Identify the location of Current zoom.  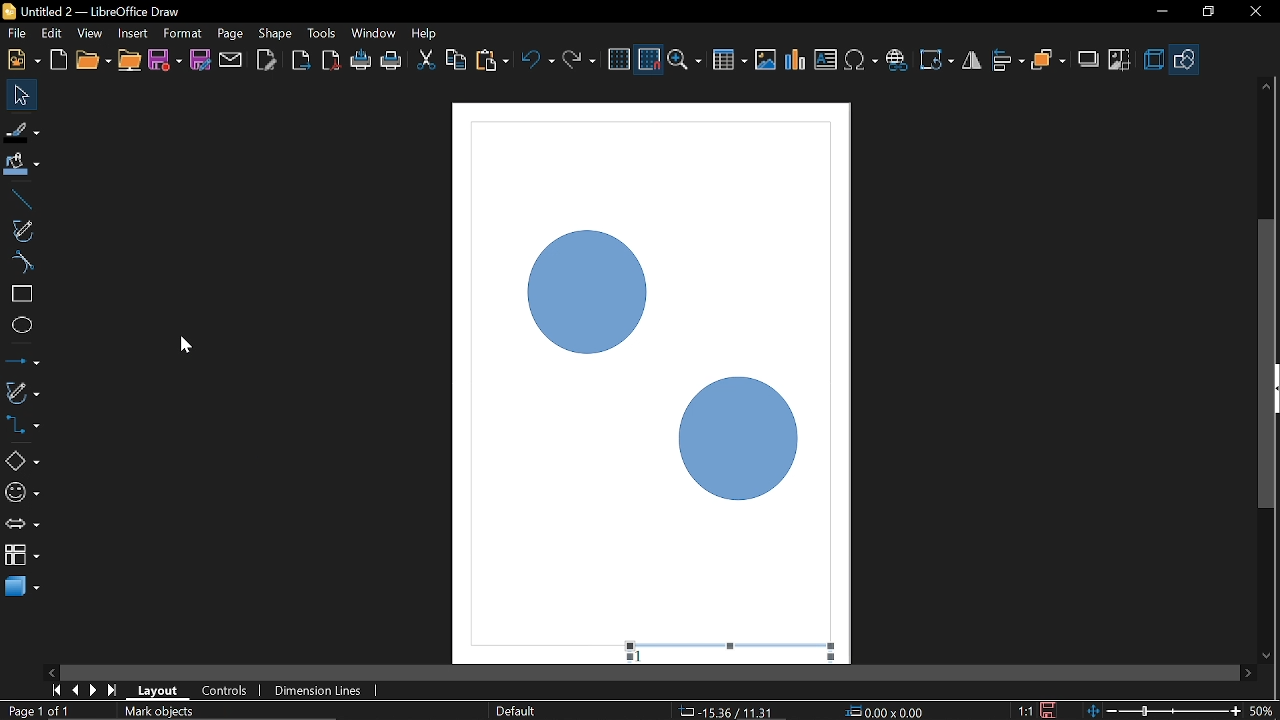
(1262, 710).